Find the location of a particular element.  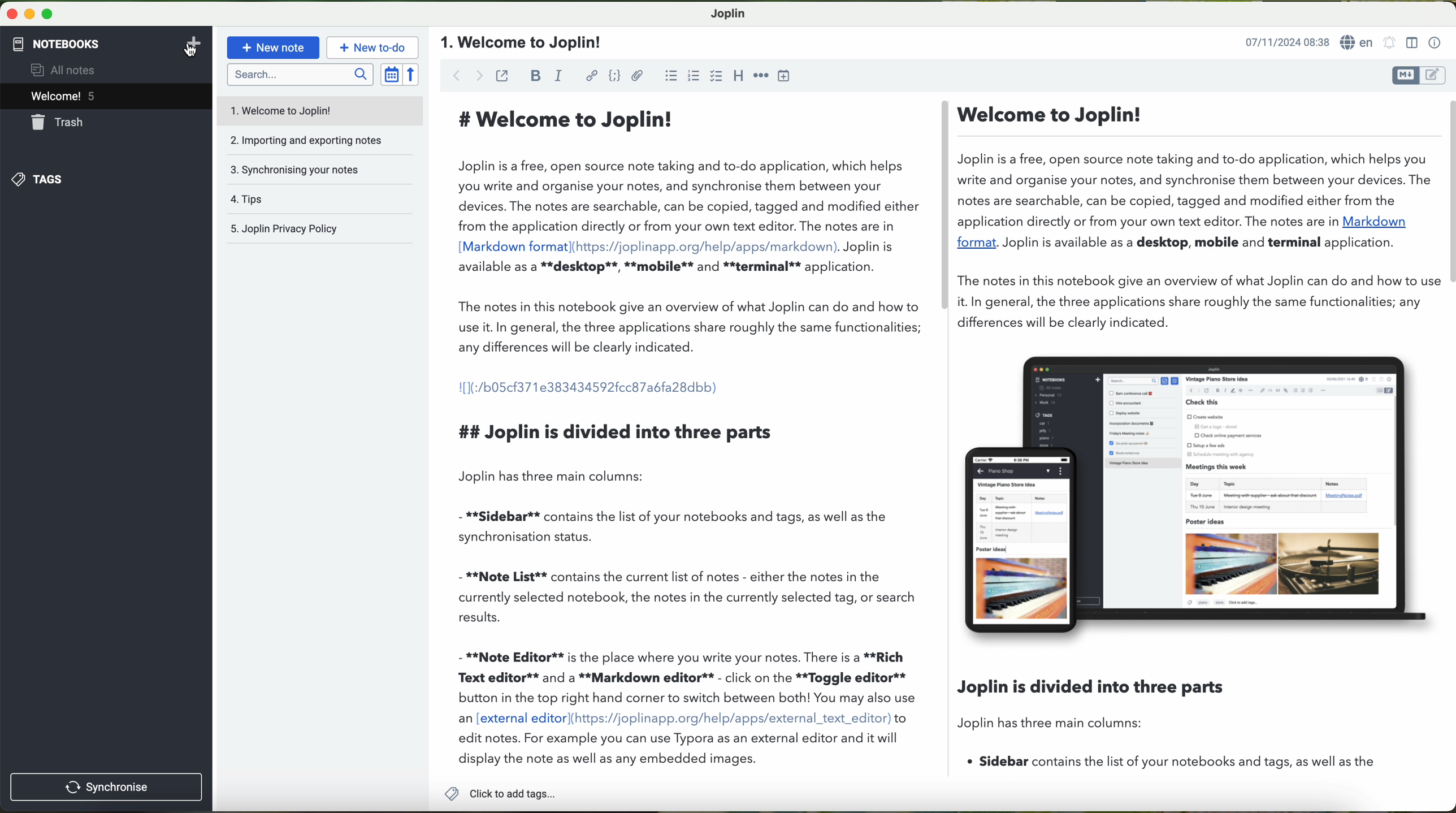

attach file is located at coordinates (637, 76).